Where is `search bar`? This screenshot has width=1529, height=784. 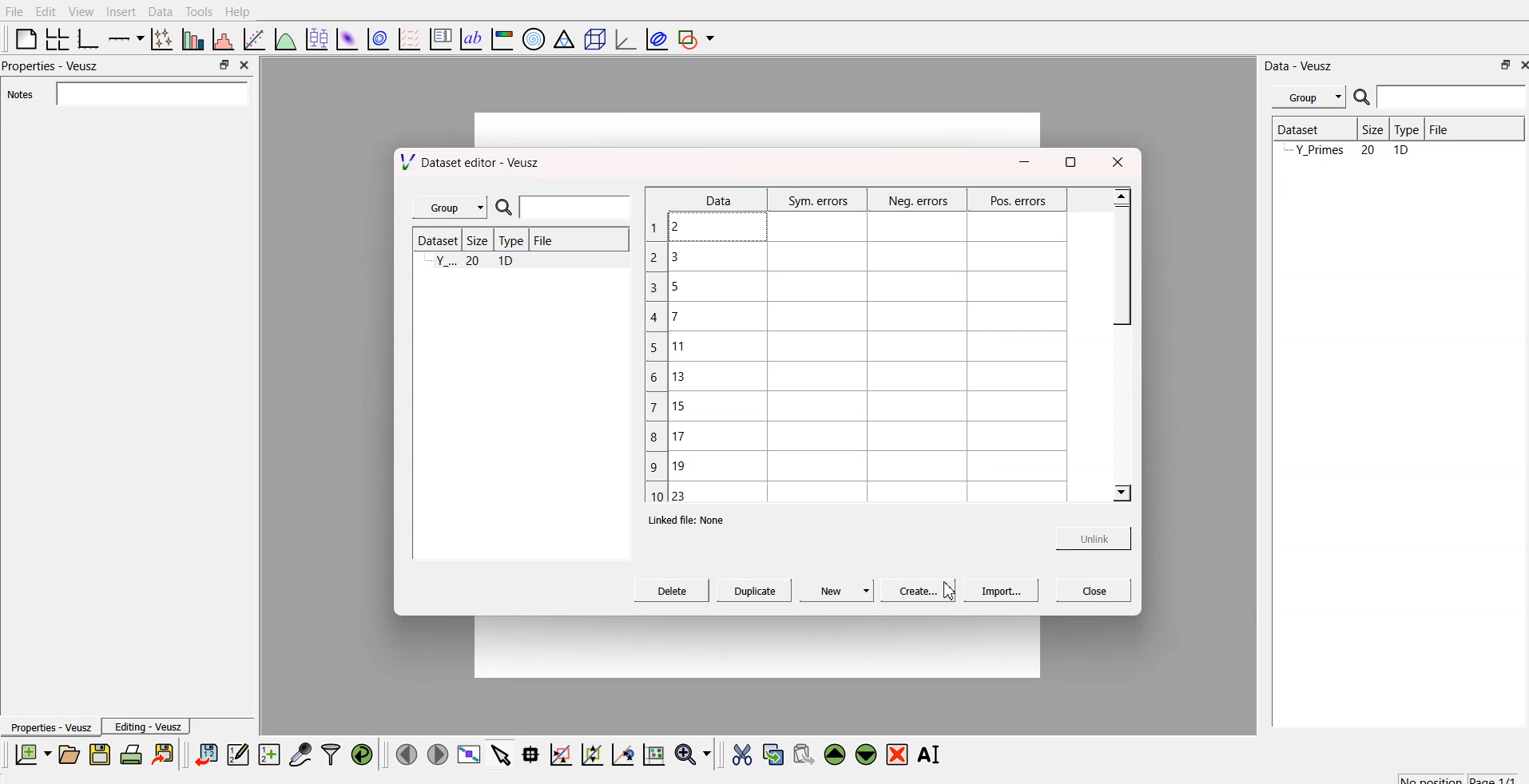
search bar is located at coordinates (574, 208).